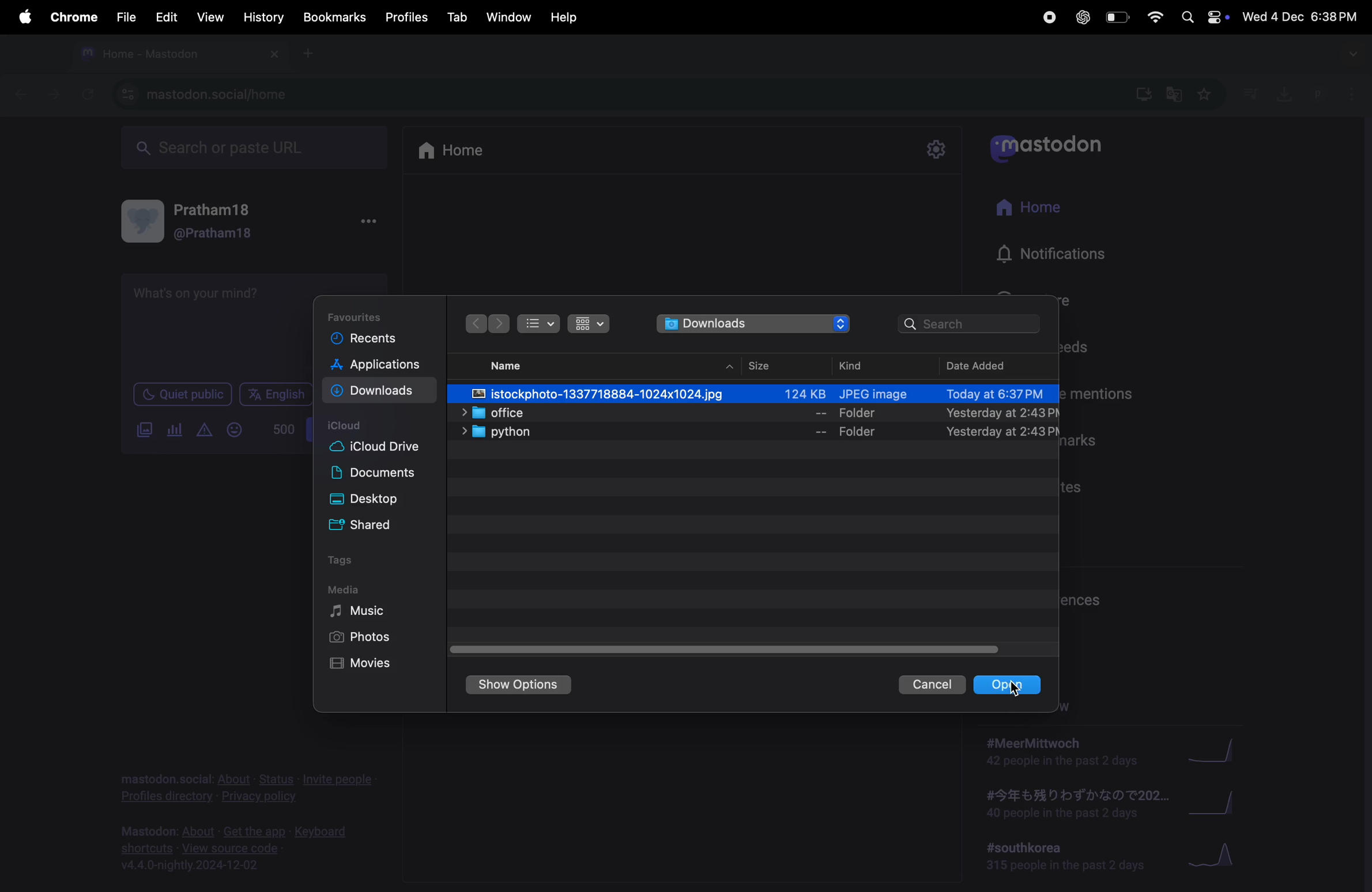 Image resolution: width=1372 pixels, height=892 pixels. I want to click on favourites, so click(362, 314).